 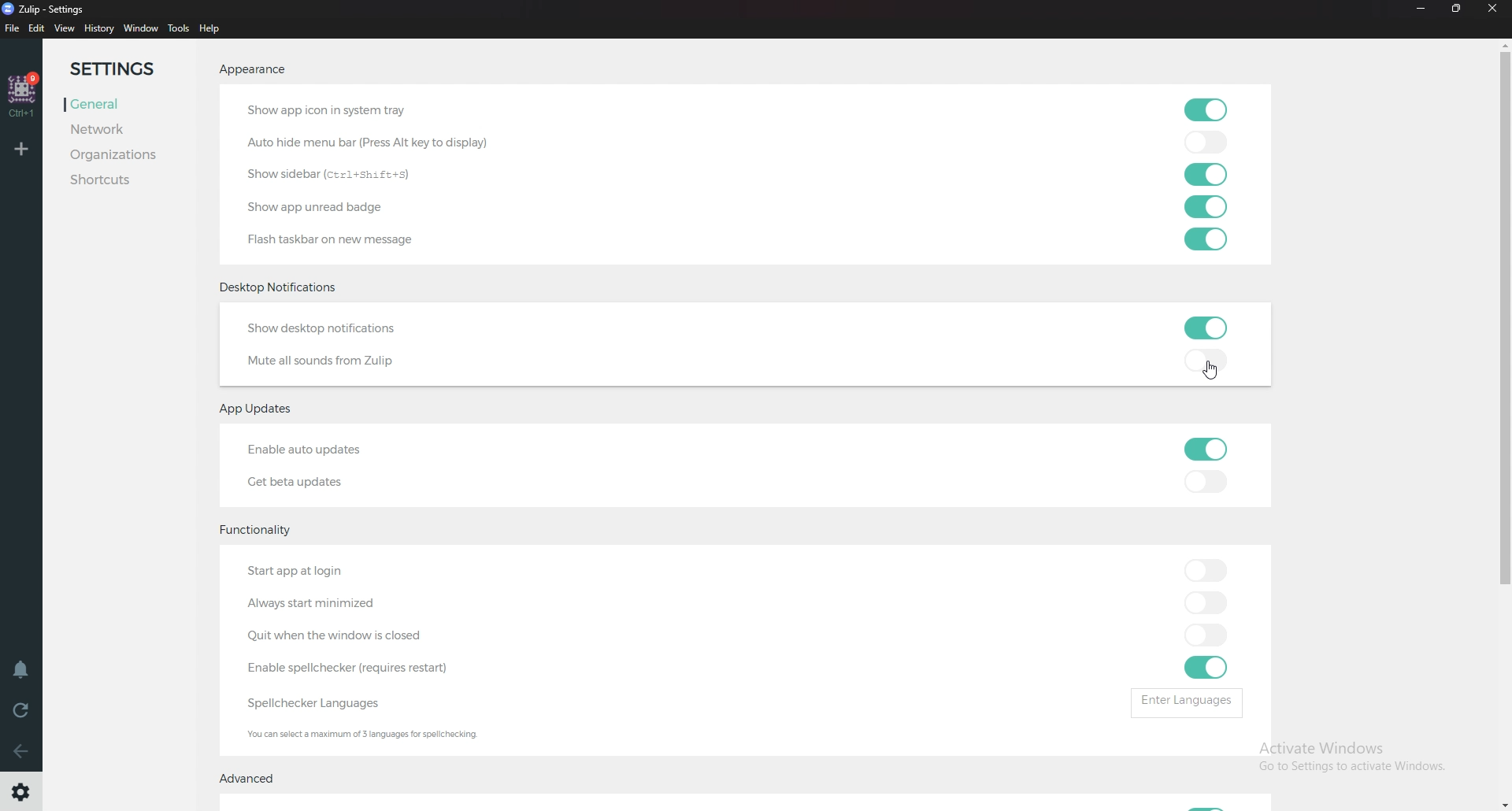 I want to click on Resize, so click(x=1457, y=9).